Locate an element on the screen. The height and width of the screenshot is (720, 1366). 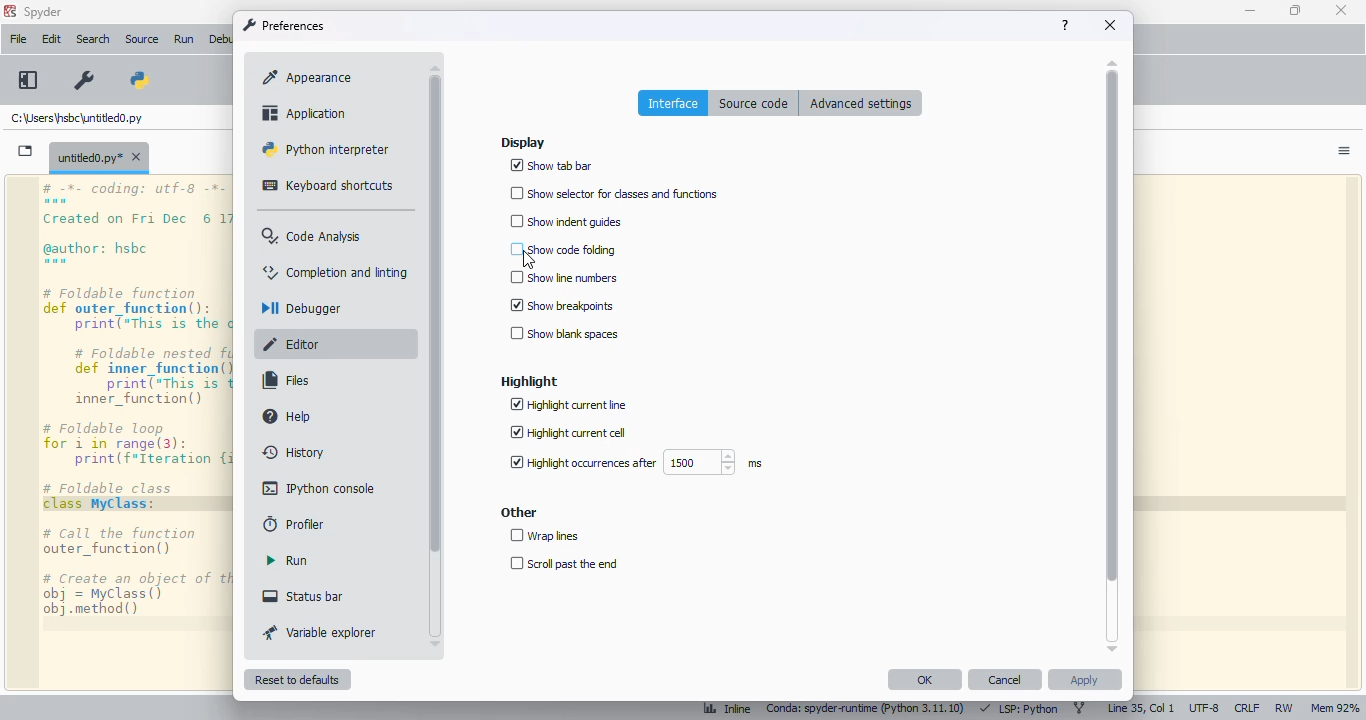
source is located at coordinates (142, 39).